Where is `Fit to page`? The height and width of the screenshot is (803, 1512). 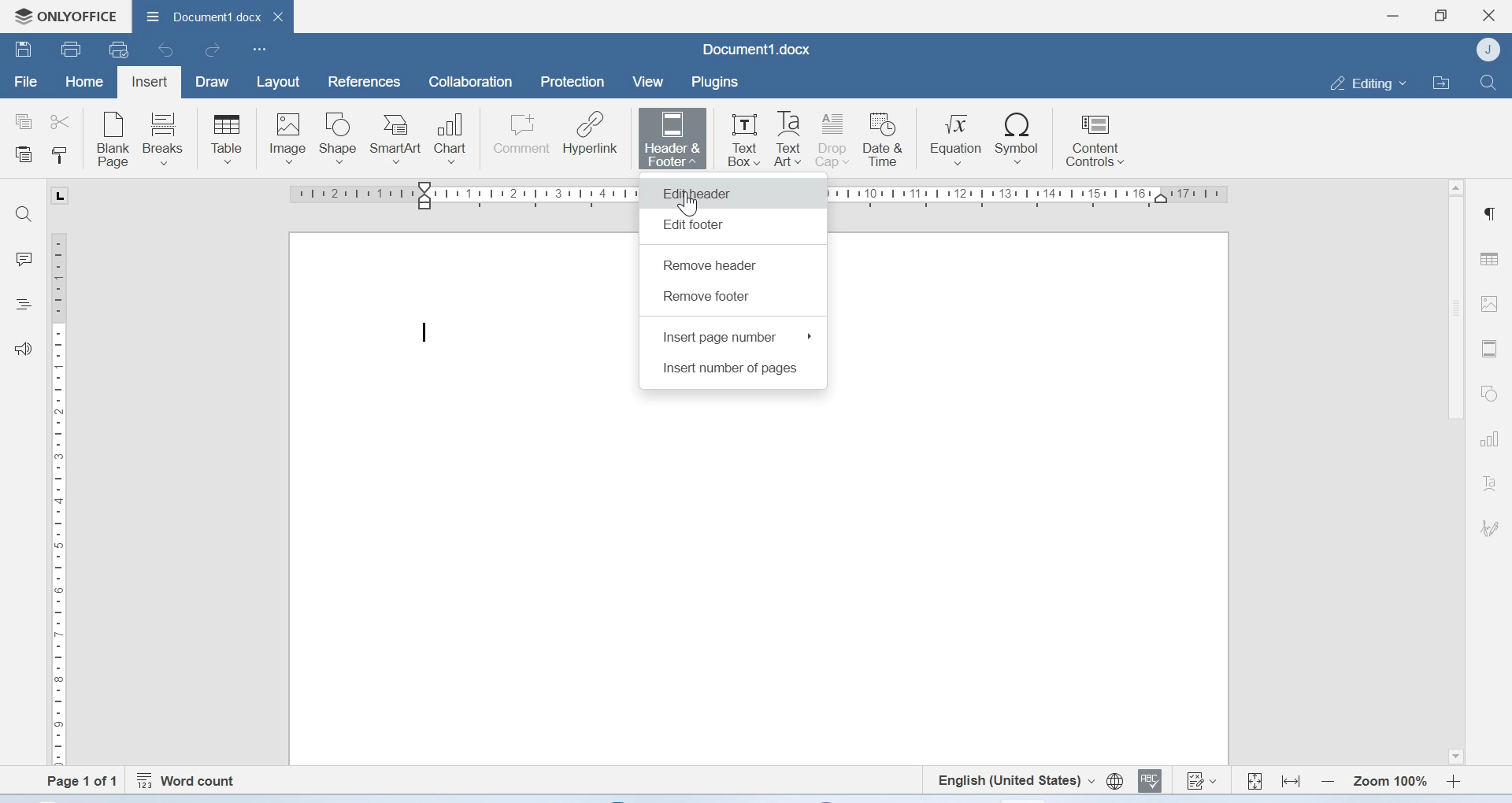
Fit to page is located at coordinates (1254, 779).